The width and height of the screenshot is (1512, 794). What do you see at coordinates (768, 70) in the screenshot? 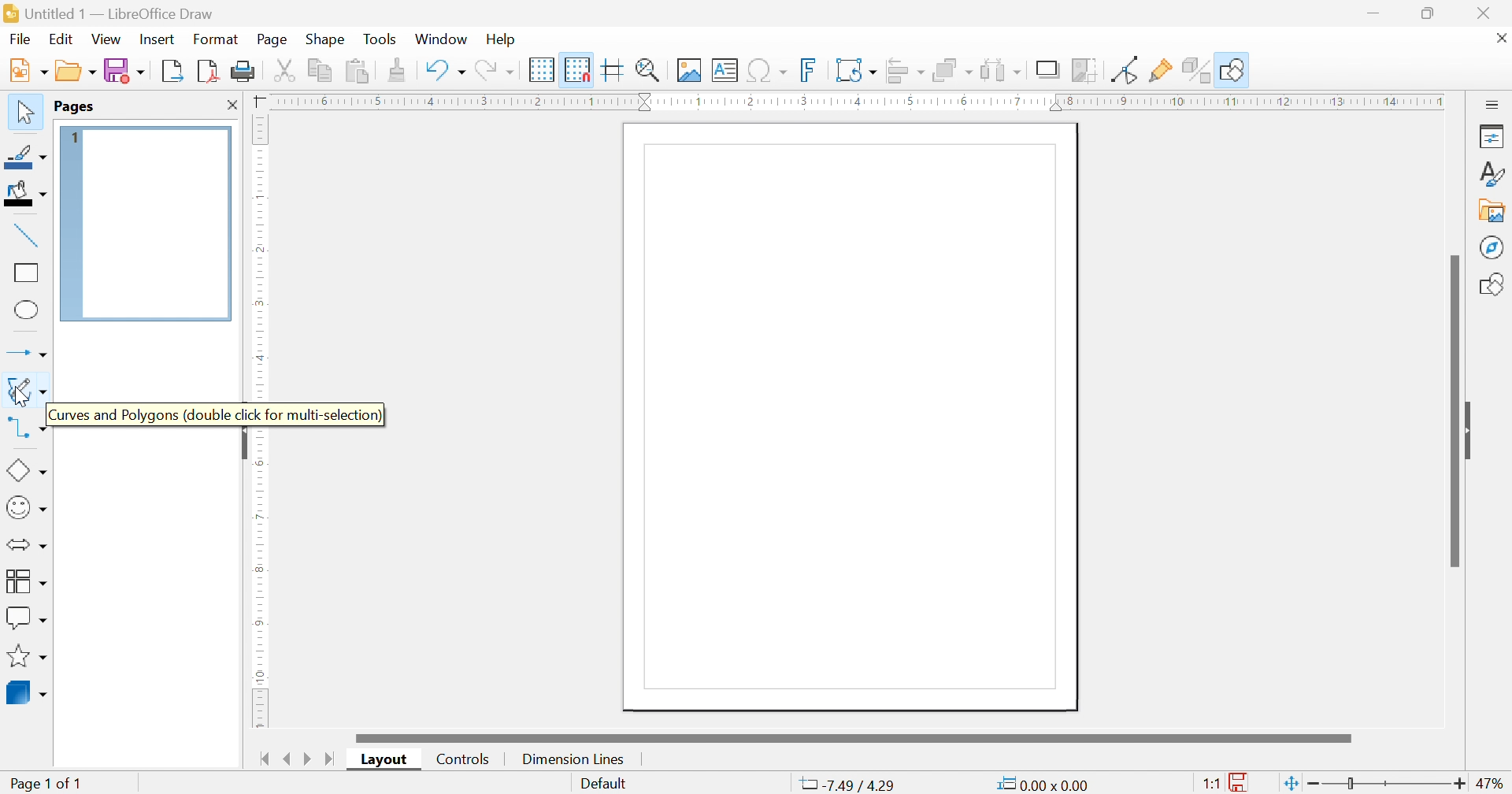
I see `insert special characters` at bounding box center [768, 70].